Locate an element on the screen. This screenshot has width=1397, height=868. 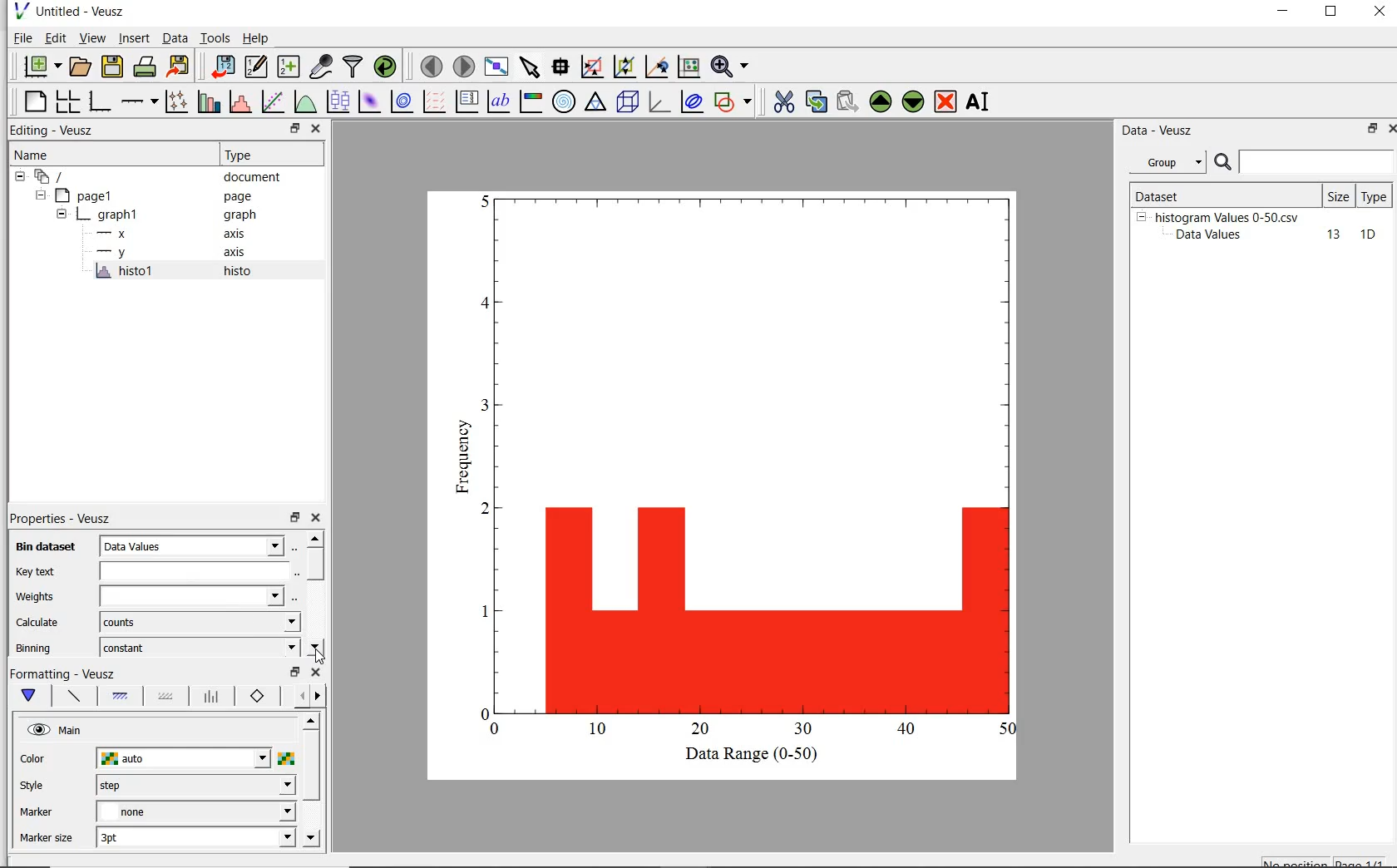
plot bar charts is located at coordinates (209, 101).